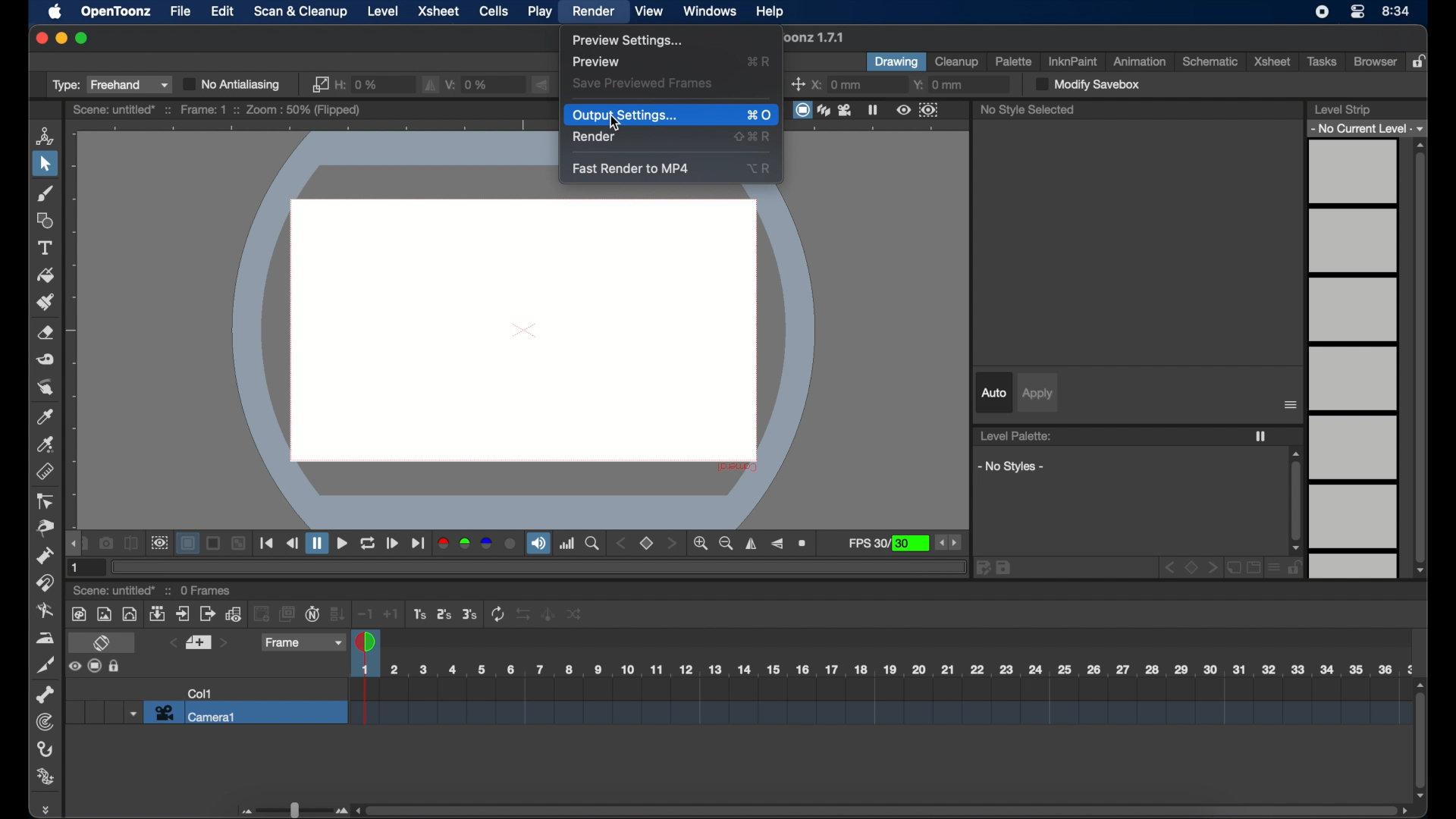 The height and width of the screenshot is (819, 1456). What do you see at coordinates (711, 11) in the screenshot?
I see `windows` at bounding box center [711, 11].